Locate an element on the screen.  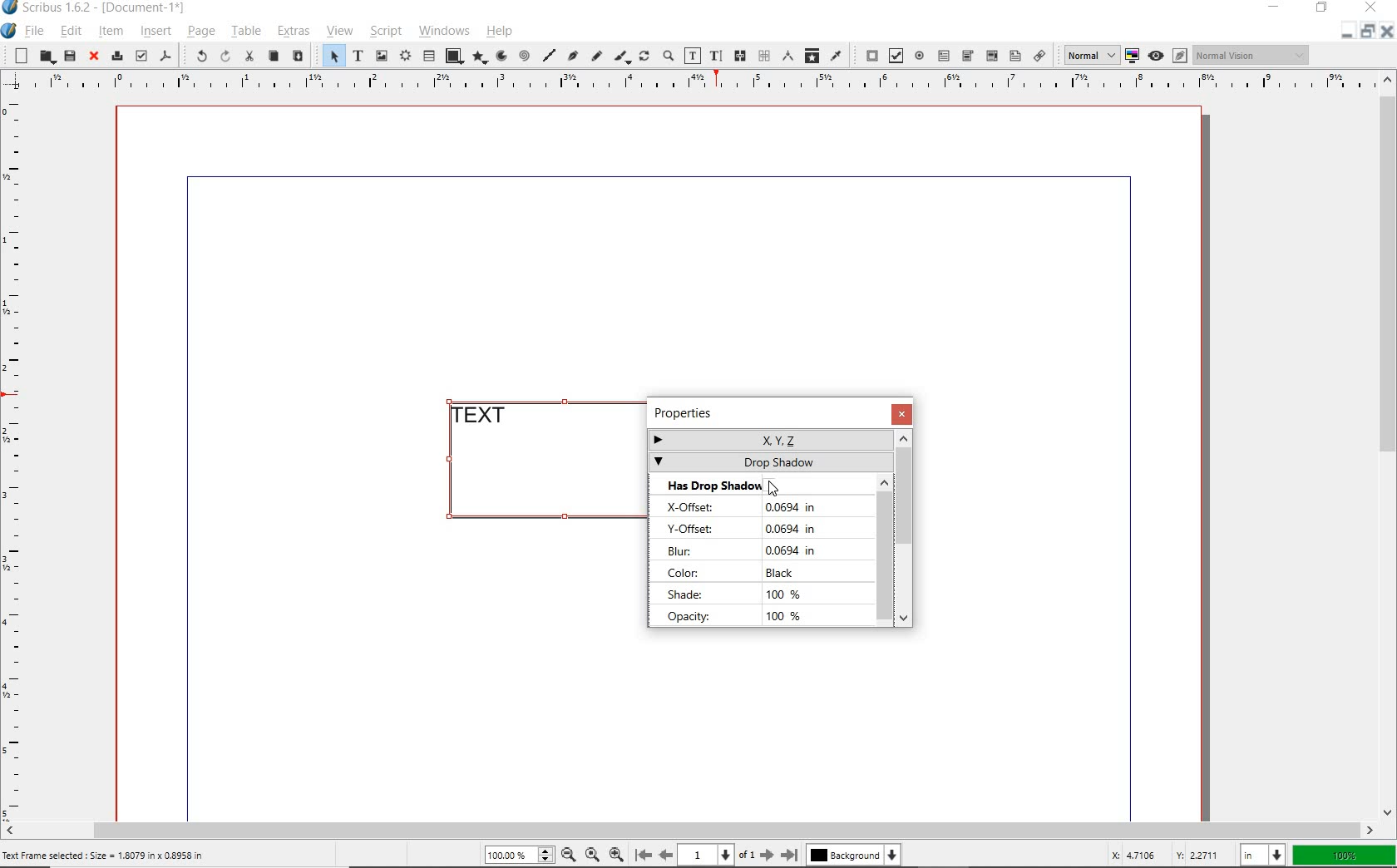
color is located at coordinates (740, 573).